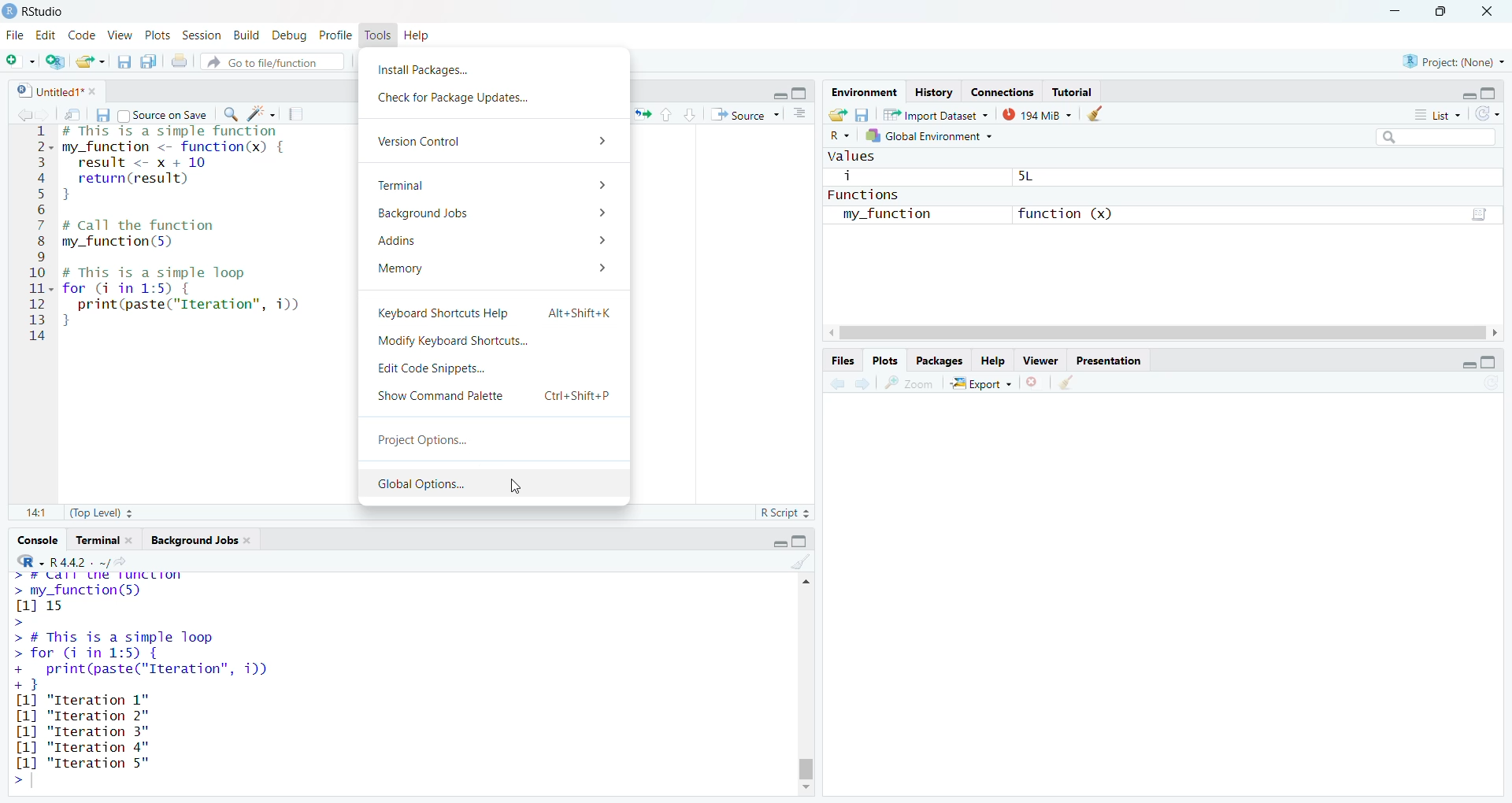 The width and height of the screenshot is (1512, 803). What do you see at coordinates (691, 114) in the screenshot?
I see `go to next section/chunk` at bounding box center [691, 114].